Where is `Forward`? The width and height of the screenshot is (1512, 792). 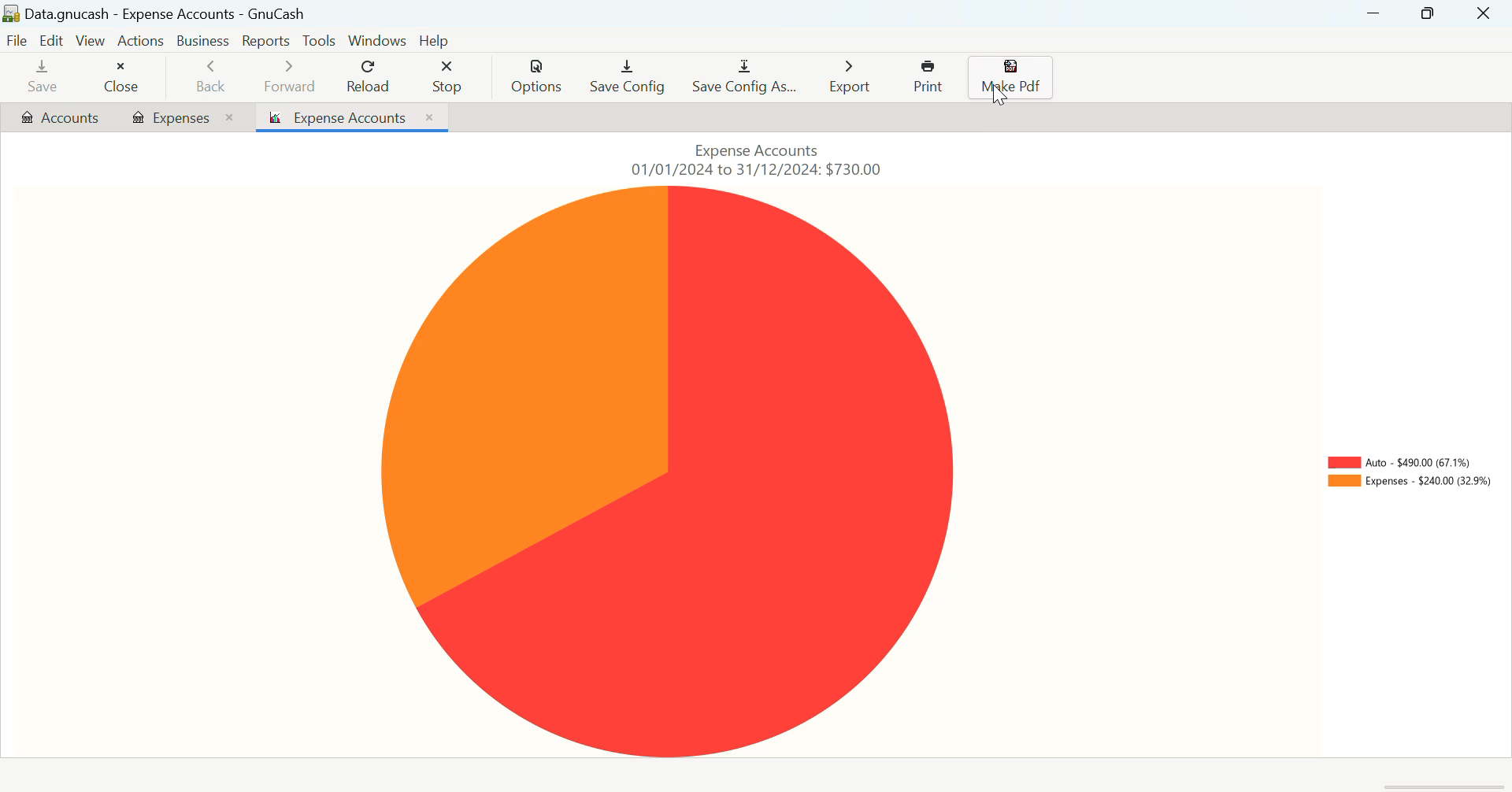 Forward is located at coordinates (291, 80).